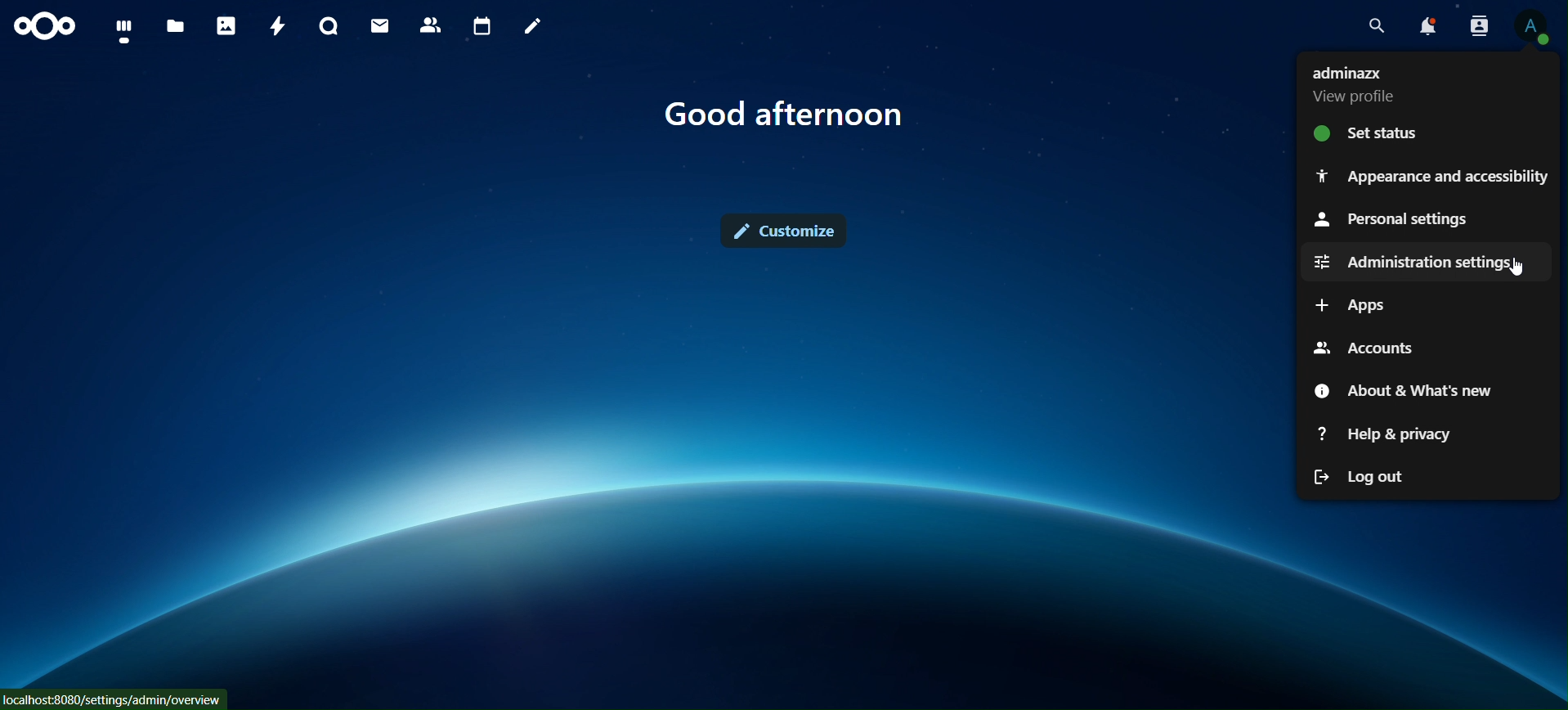 The height and width of the screenshot is (710, 1568). What do you see at coordinates (329, 25) in the screenshot?
I see `talk` at bounding box center [329, 25].